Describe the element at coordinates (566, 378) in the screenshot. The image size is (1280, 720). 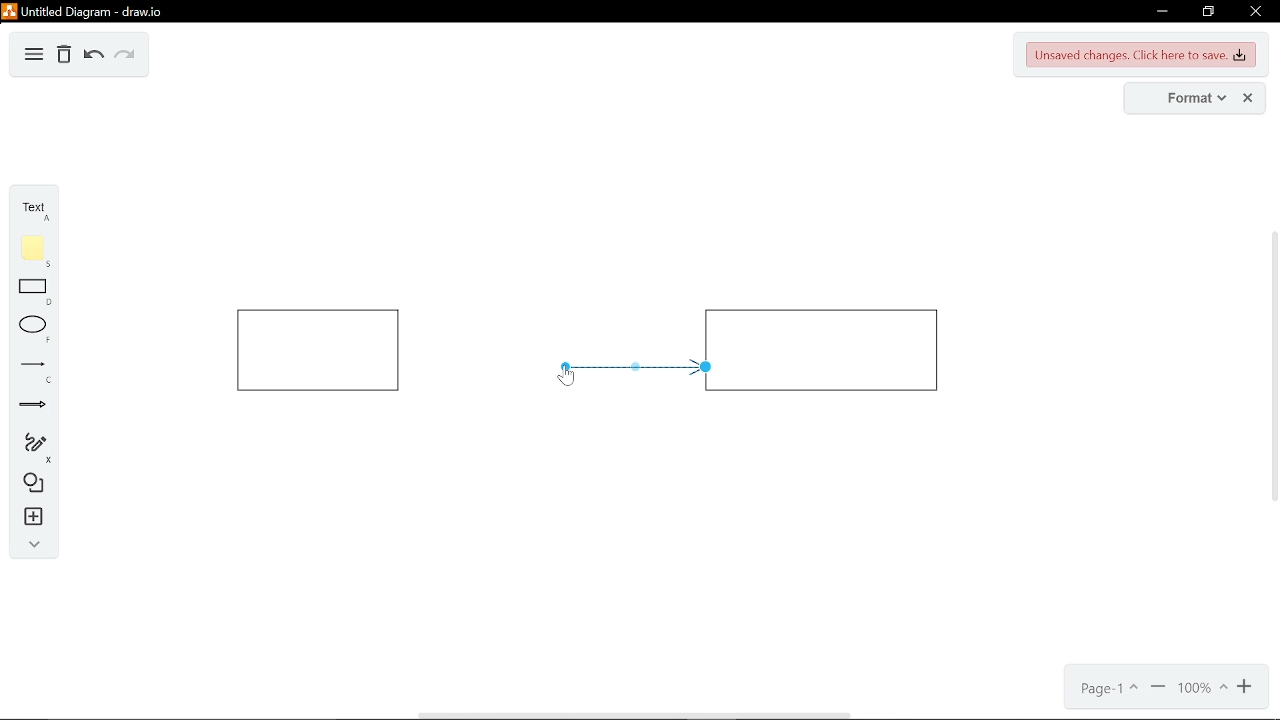
I see `cursor` at that location.